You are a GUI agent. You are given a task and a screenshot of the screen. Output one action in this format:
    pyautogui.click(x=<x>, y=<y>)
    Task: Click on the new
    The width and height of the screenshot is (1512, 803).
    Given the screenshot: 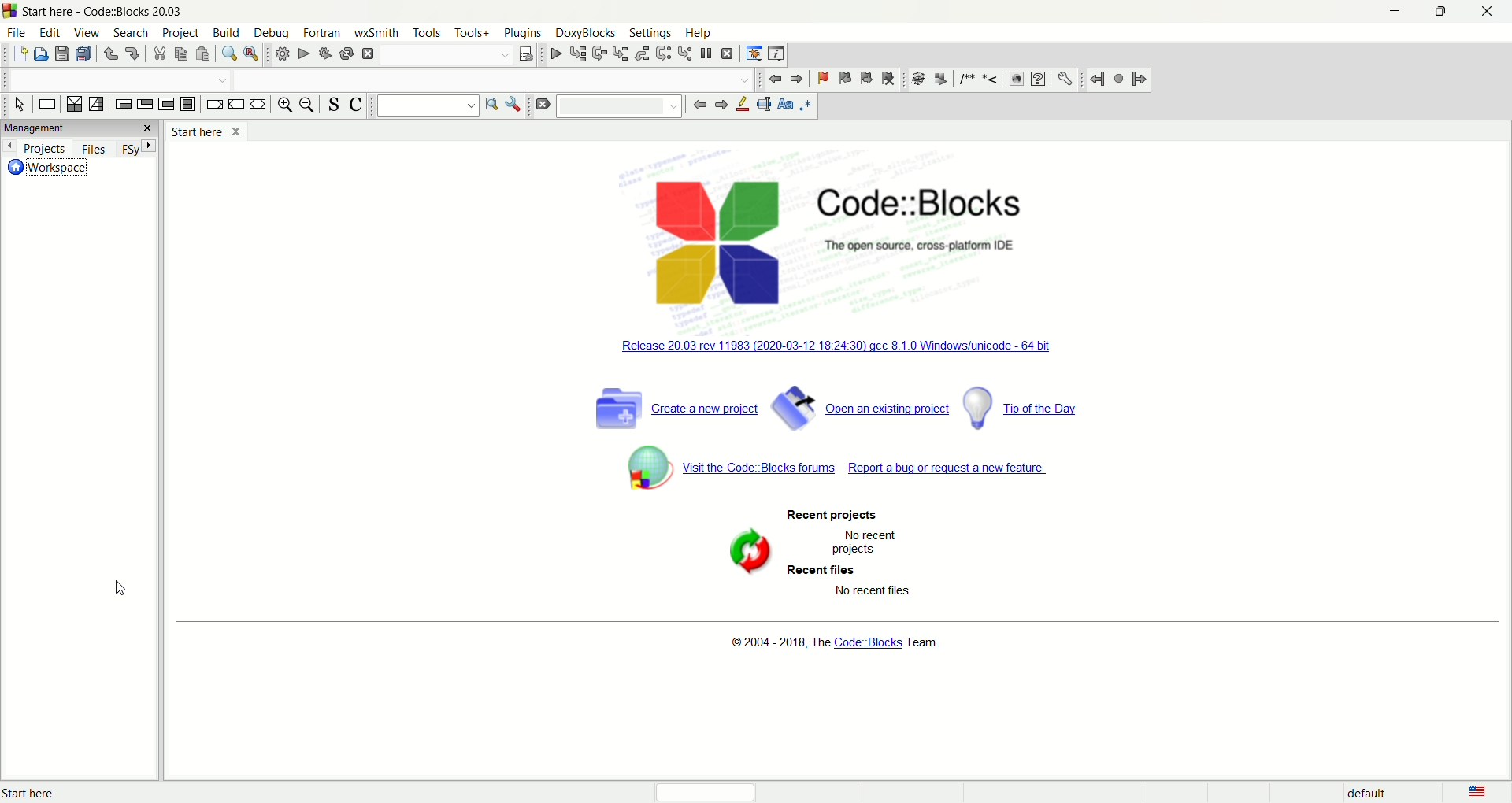 What is the action you would take?
    pyautogui.click(x=17, y=54)
    